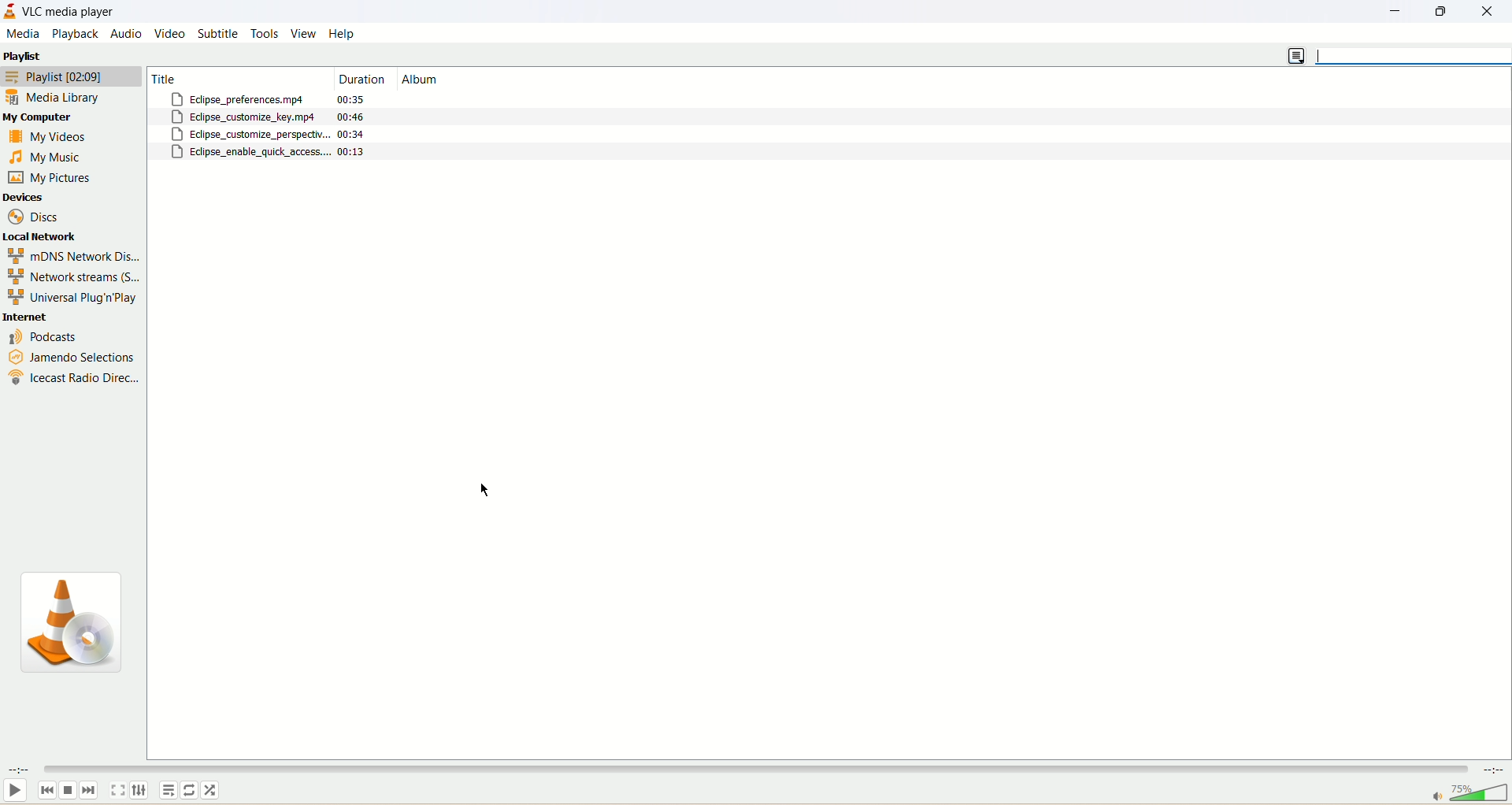  What do you see at coordinates (72, 624) in the screenshot?
I see `icon` at bounding box center [72, 624].